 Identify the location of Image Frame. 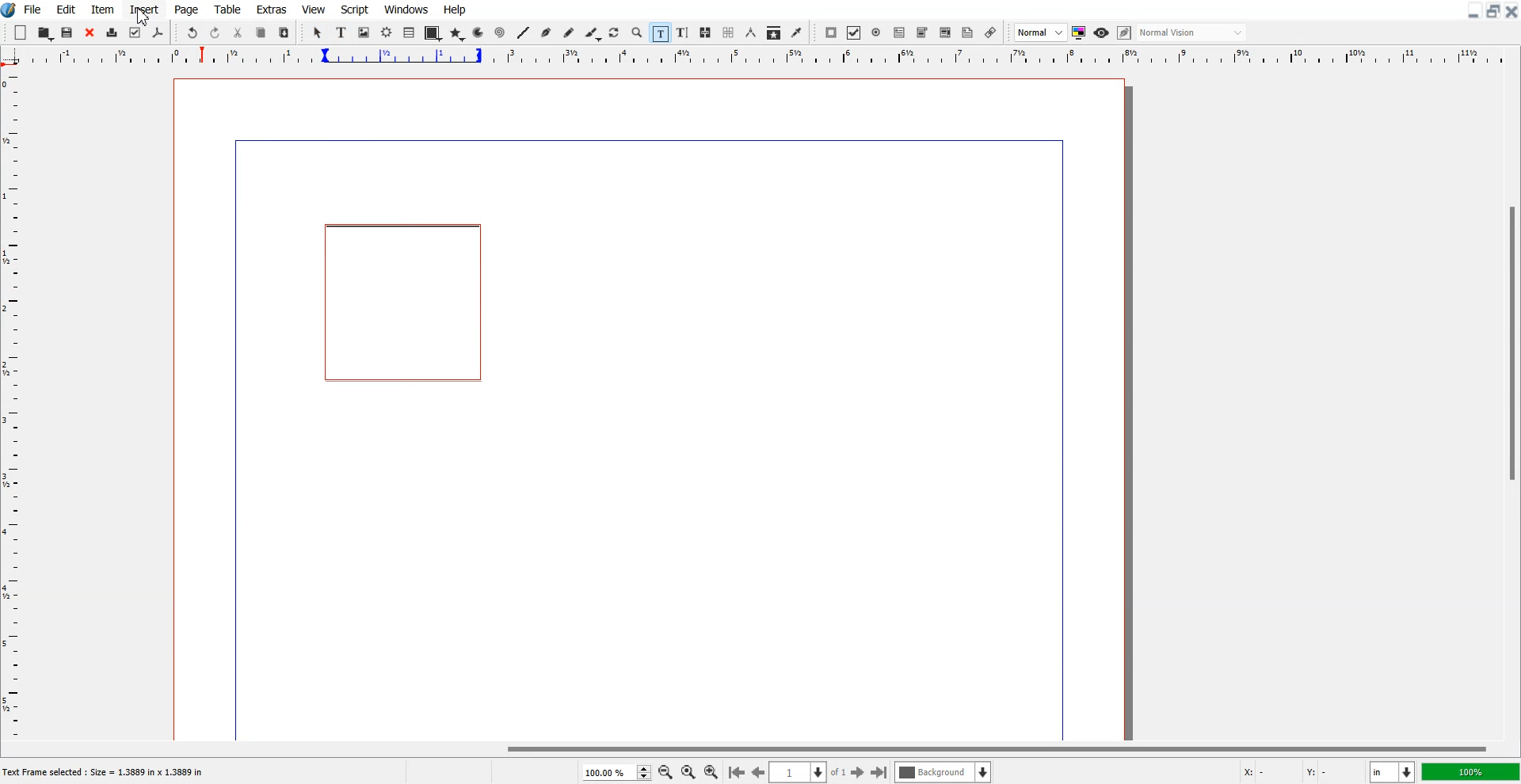
(364, 32).